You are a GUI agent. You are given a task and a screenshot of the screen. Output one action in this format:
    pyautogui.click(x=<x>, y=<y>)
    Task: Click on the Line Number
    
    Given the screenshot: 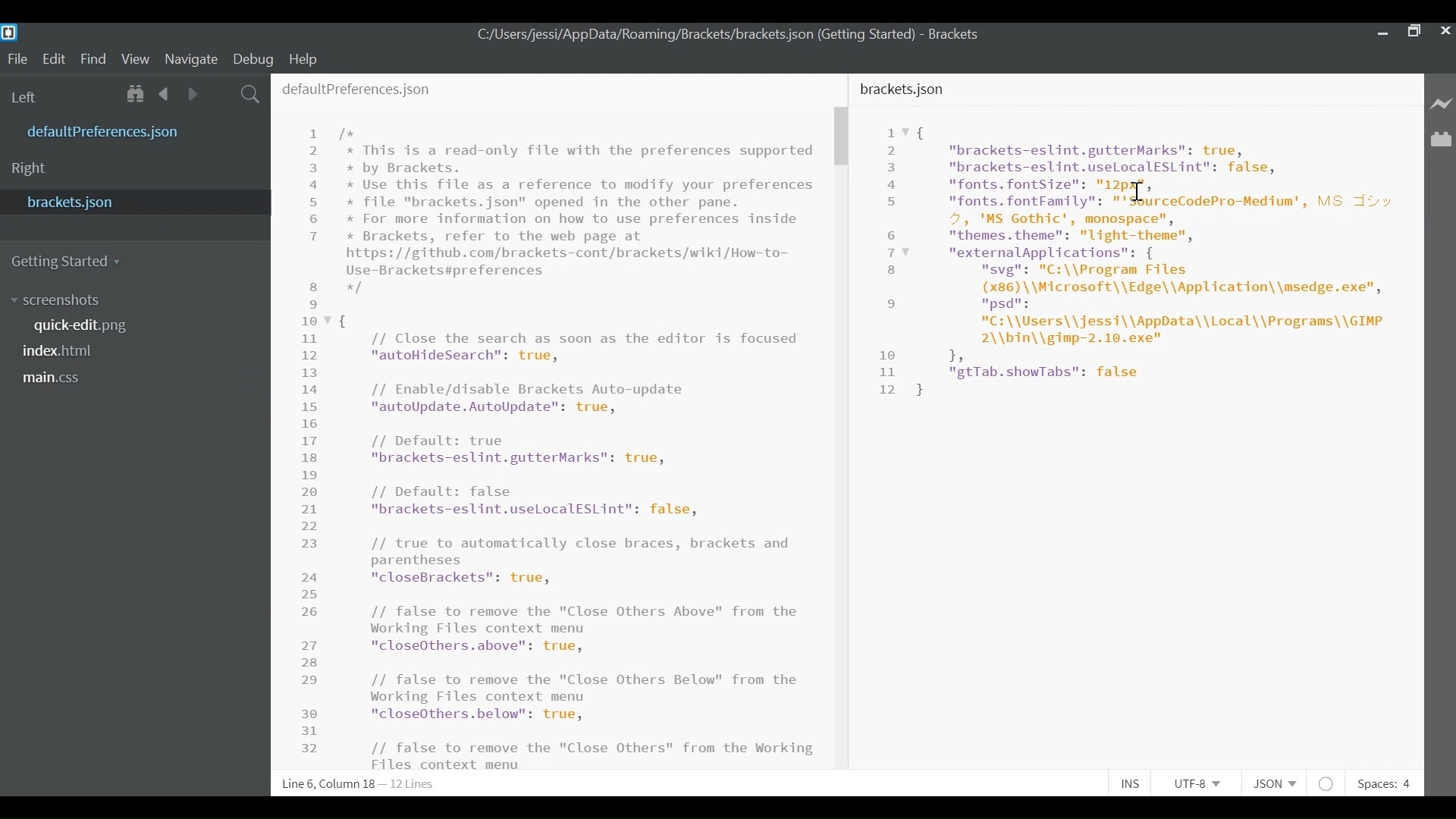 What is the action you would take?
    pyautogui.click(x=315, y=439)
    